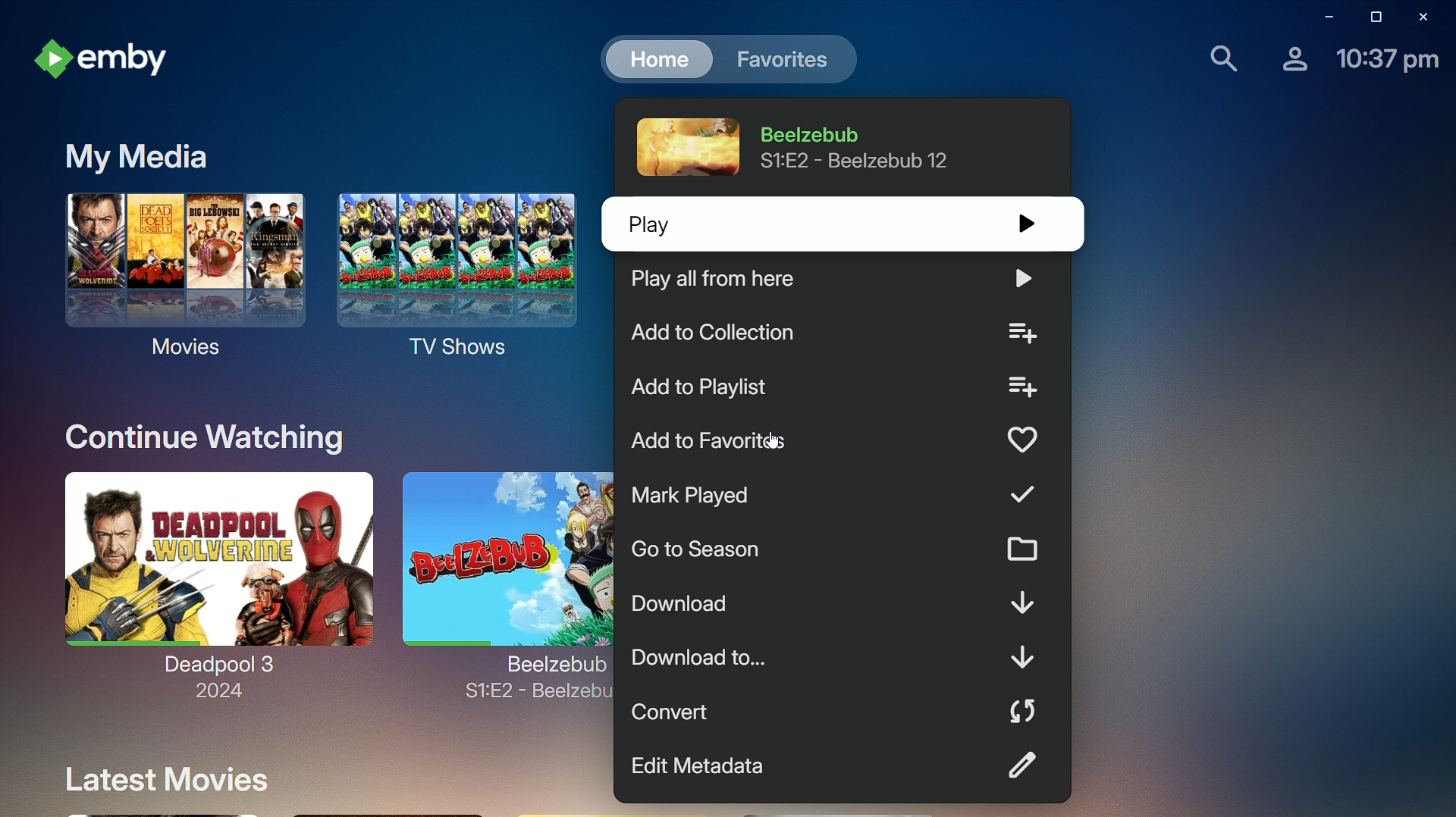  I want to click on TV Shows, so click(458, 276).